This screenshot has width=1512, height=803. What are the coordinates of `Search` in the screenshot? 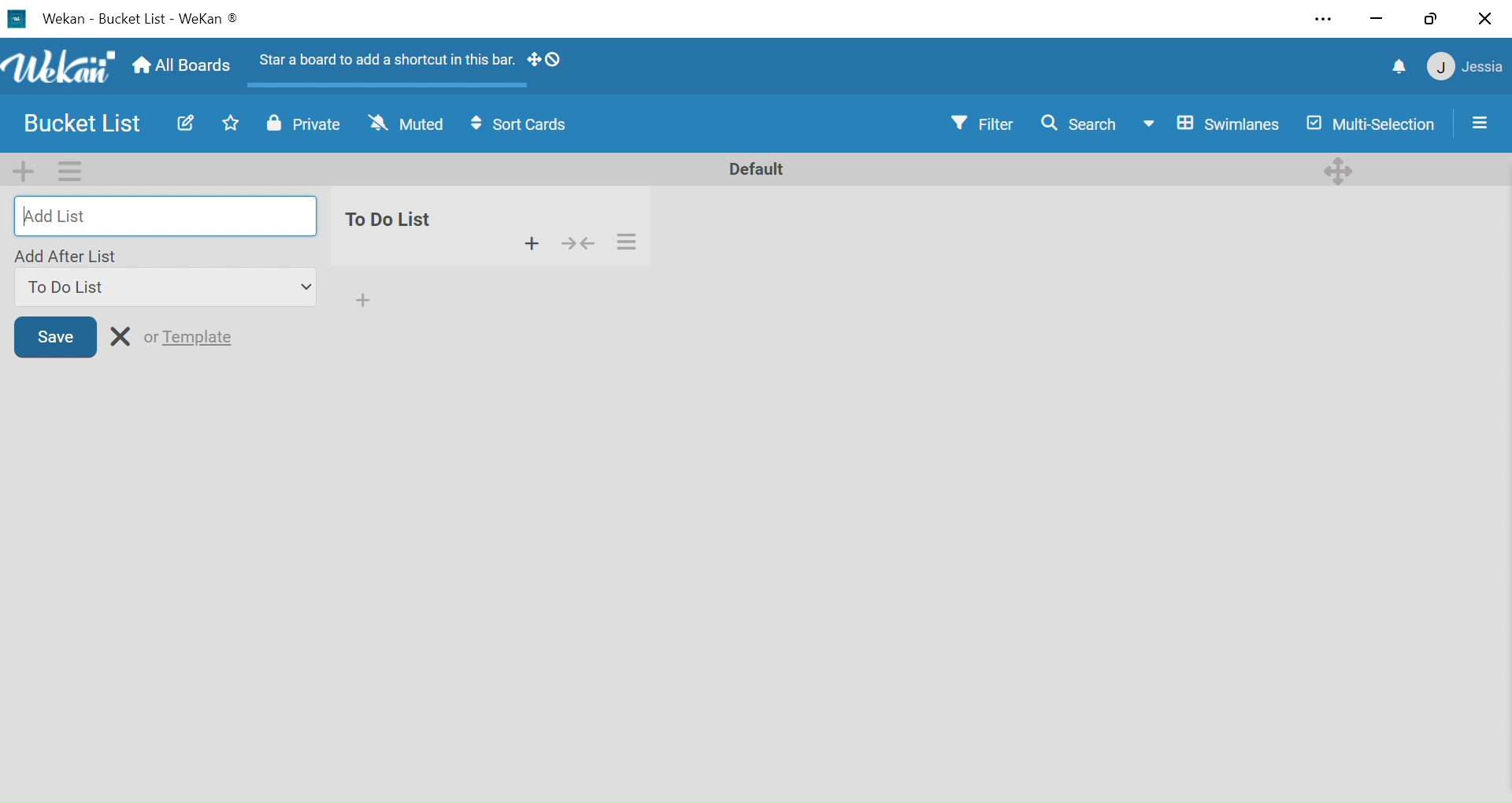 It's located at (1078, 123).